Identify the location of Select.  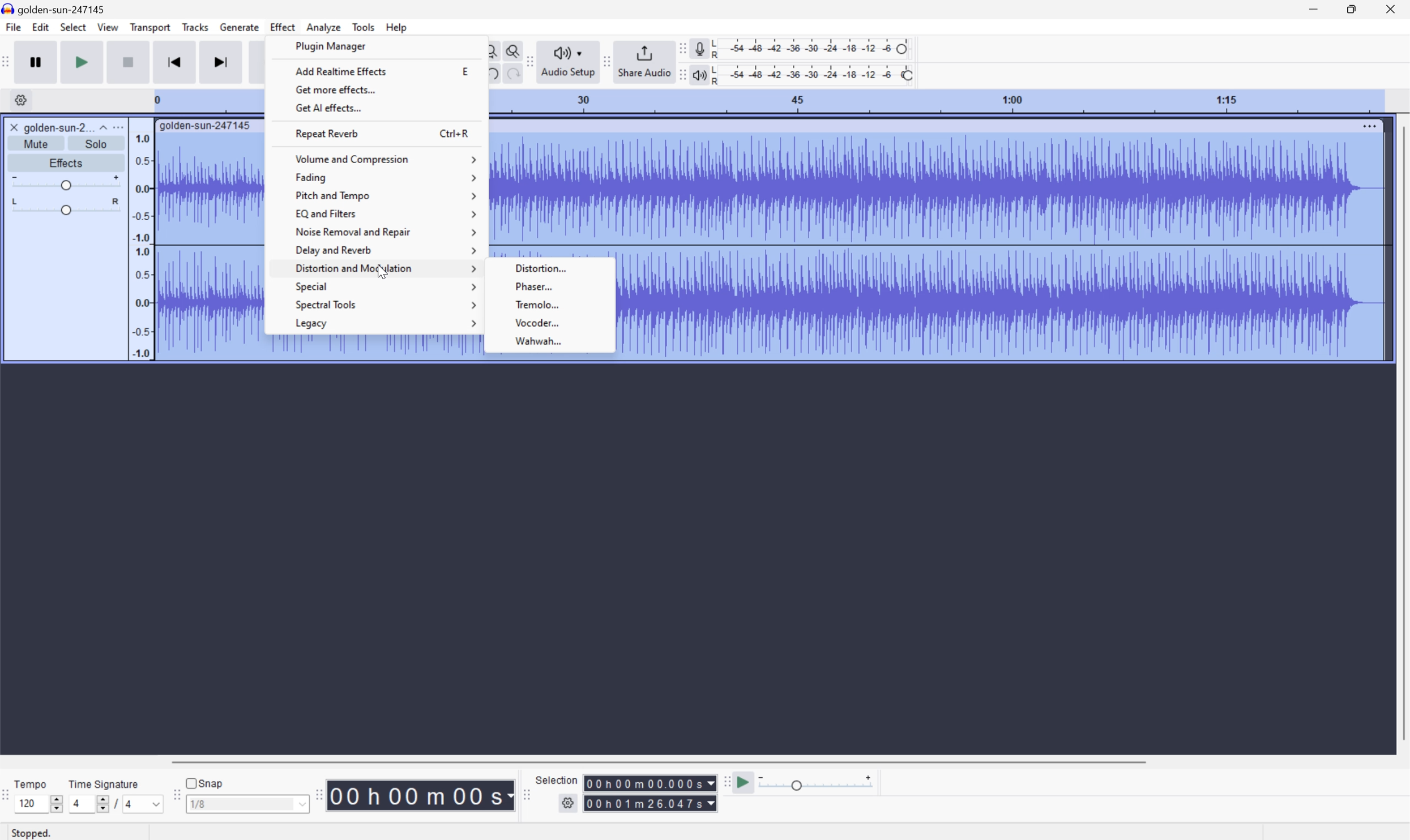
(73, 26).